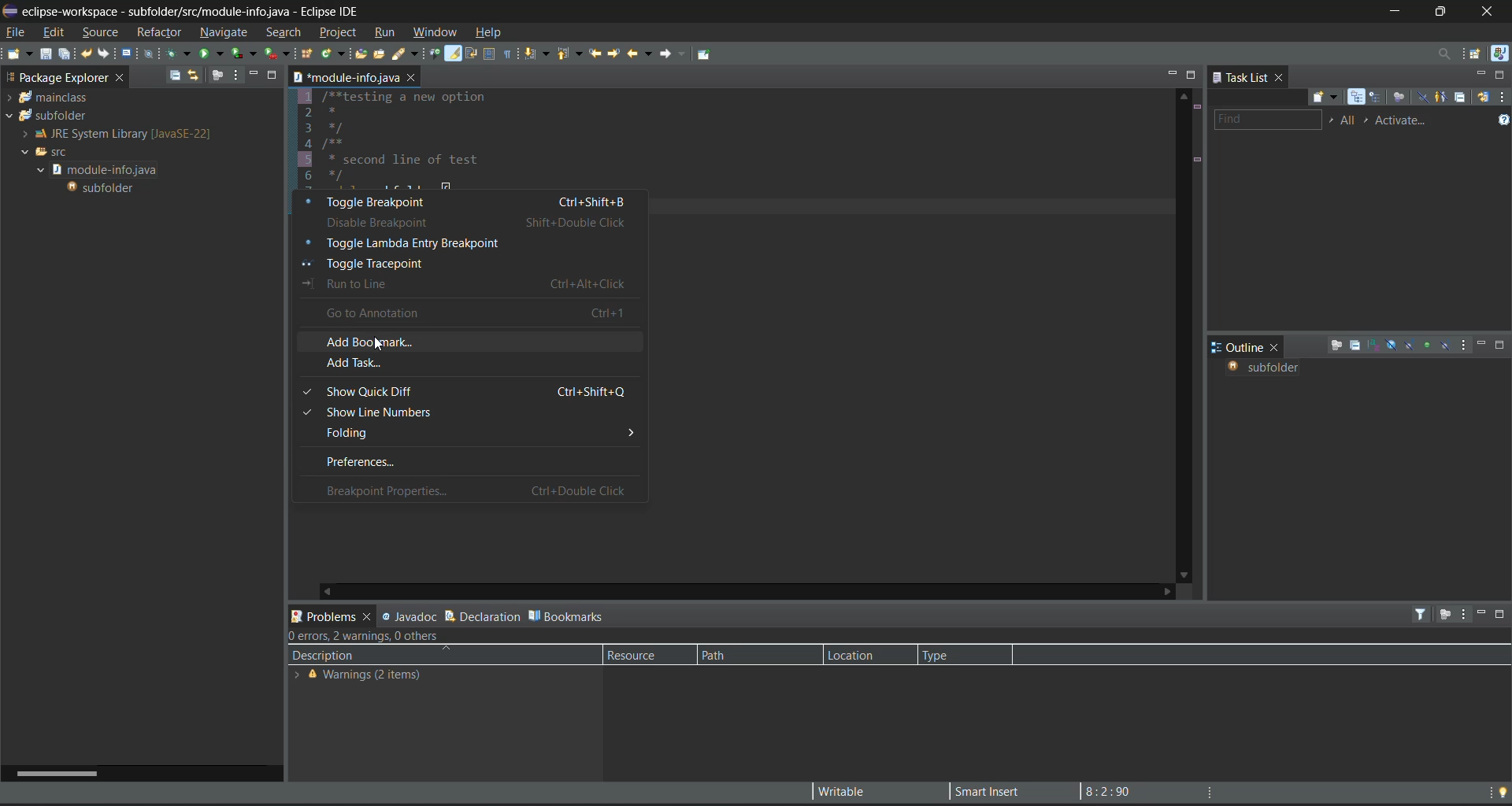 The height and width of the screenshot is (806, 1512). Describe the element at coordinates (409, 615) in the screenshot. I see `javadoc` at that location.